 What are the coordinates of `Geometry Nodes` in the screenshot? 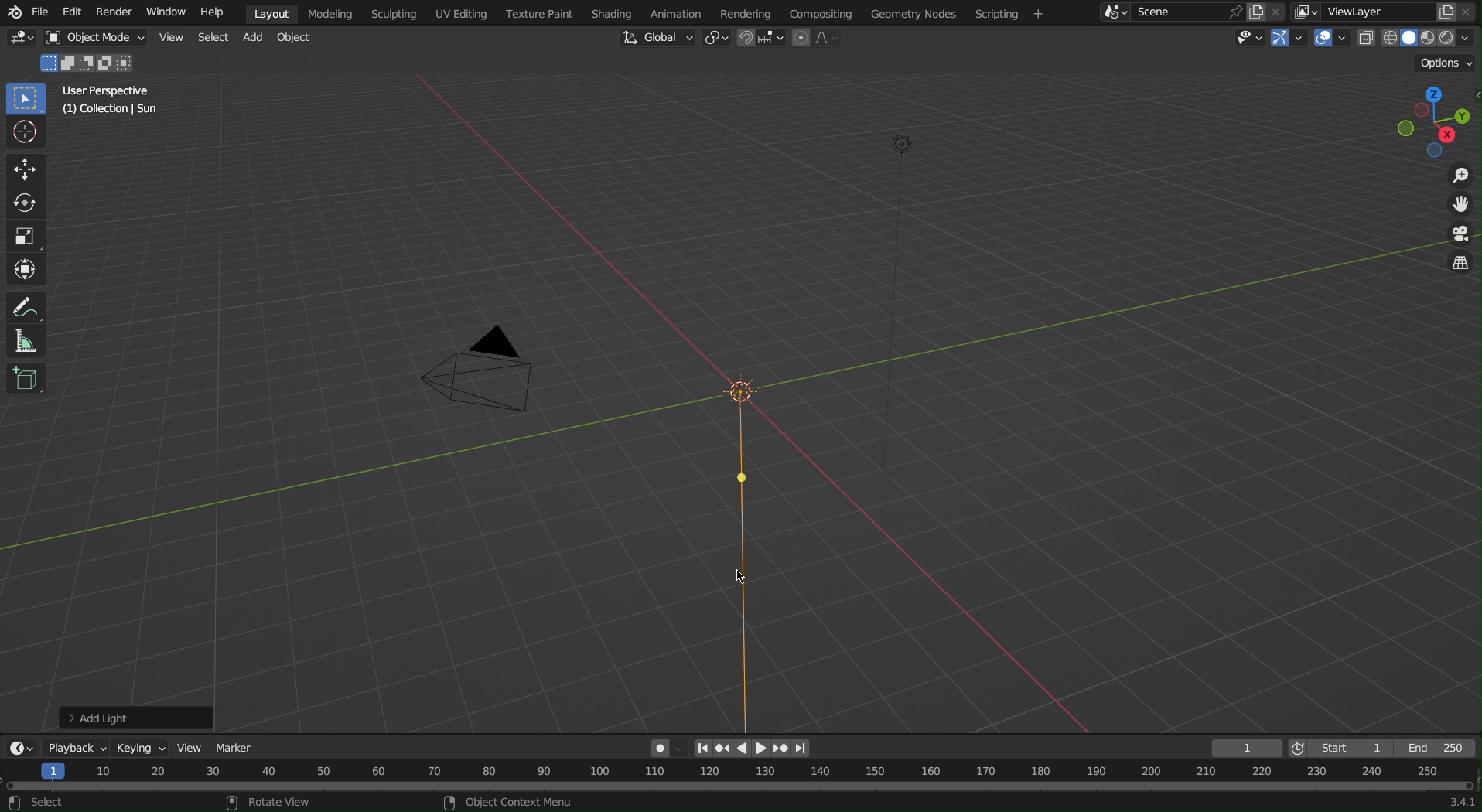 It's located at (912, 12).